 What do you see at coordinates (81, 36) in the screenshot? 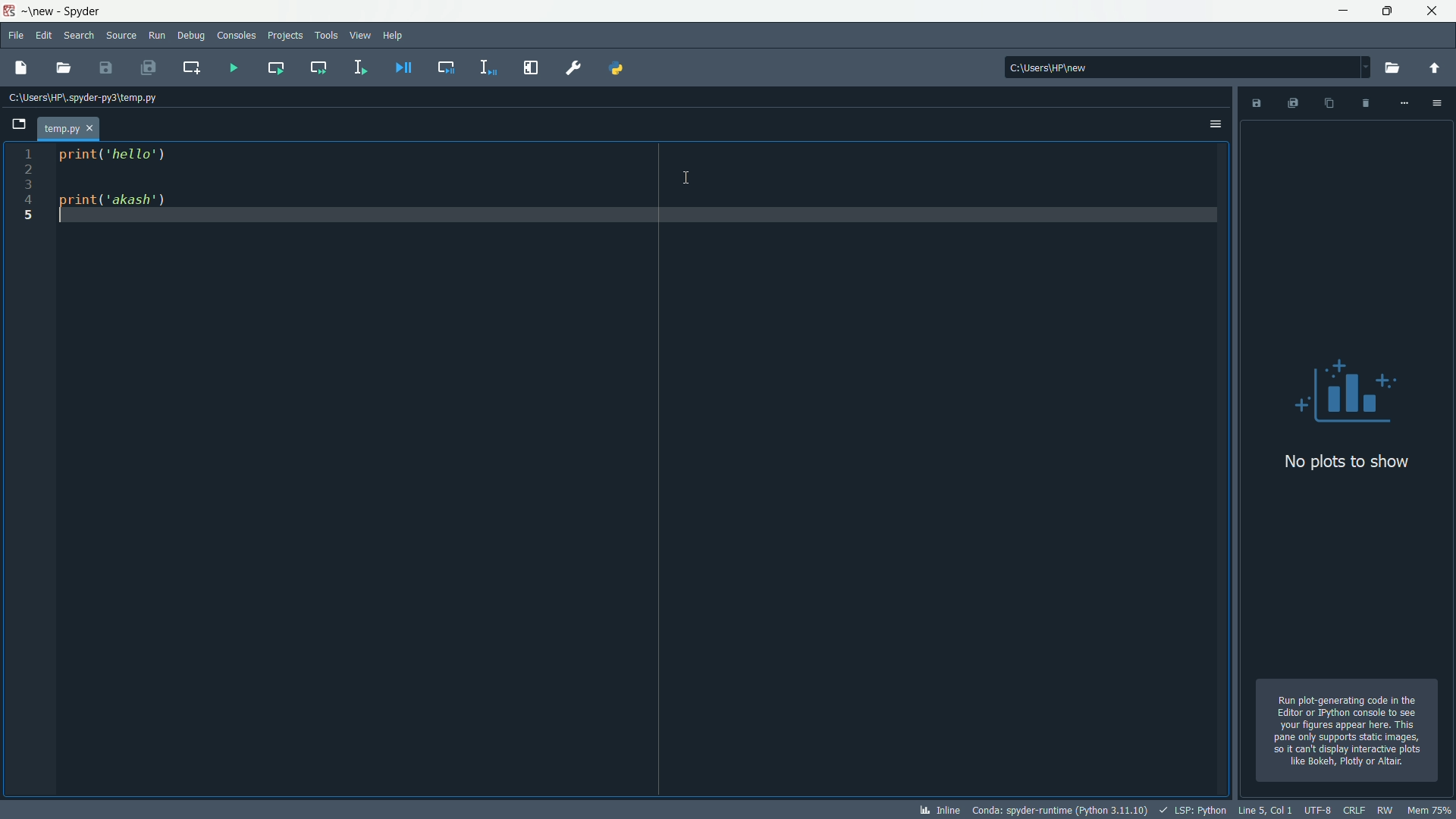
I see `search menu` at bounding box center [81, 36].